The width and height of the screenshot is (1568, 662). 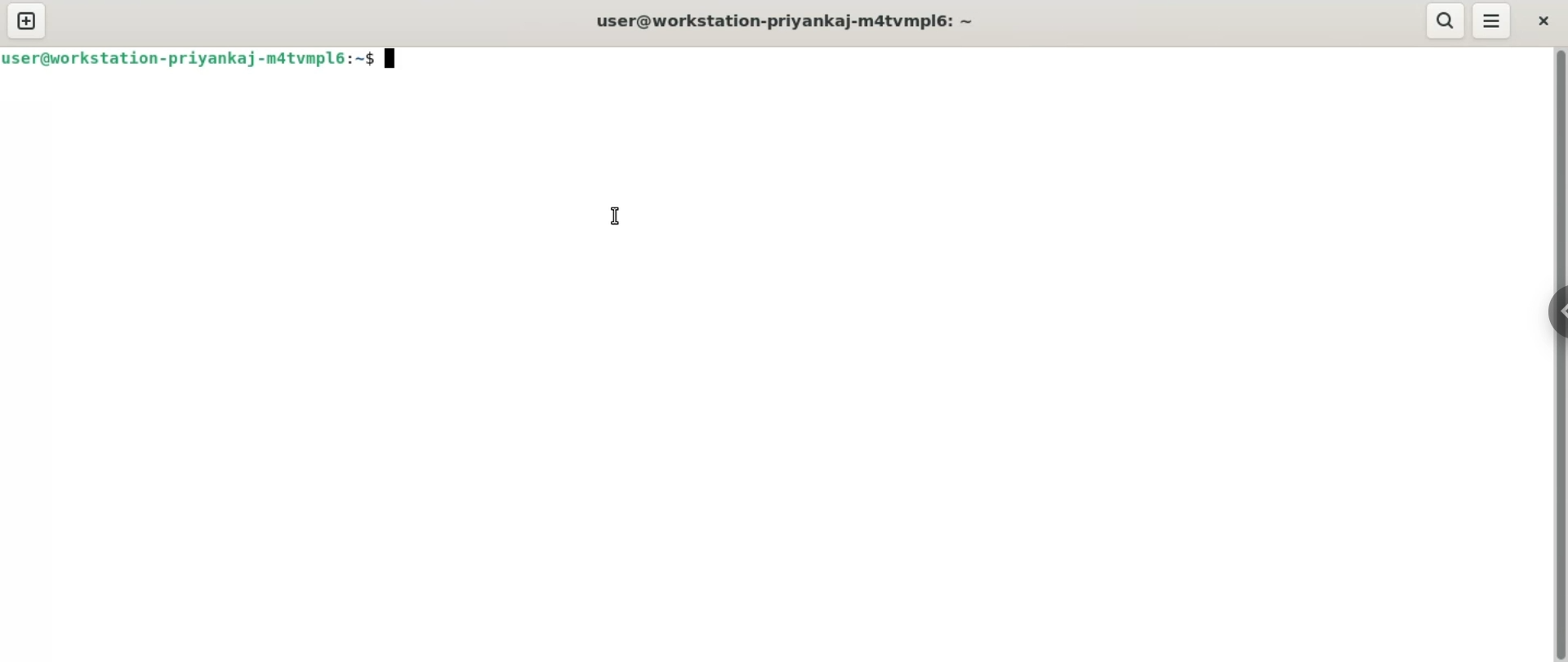 I want to click on cursor, so click(x=617, y=214).